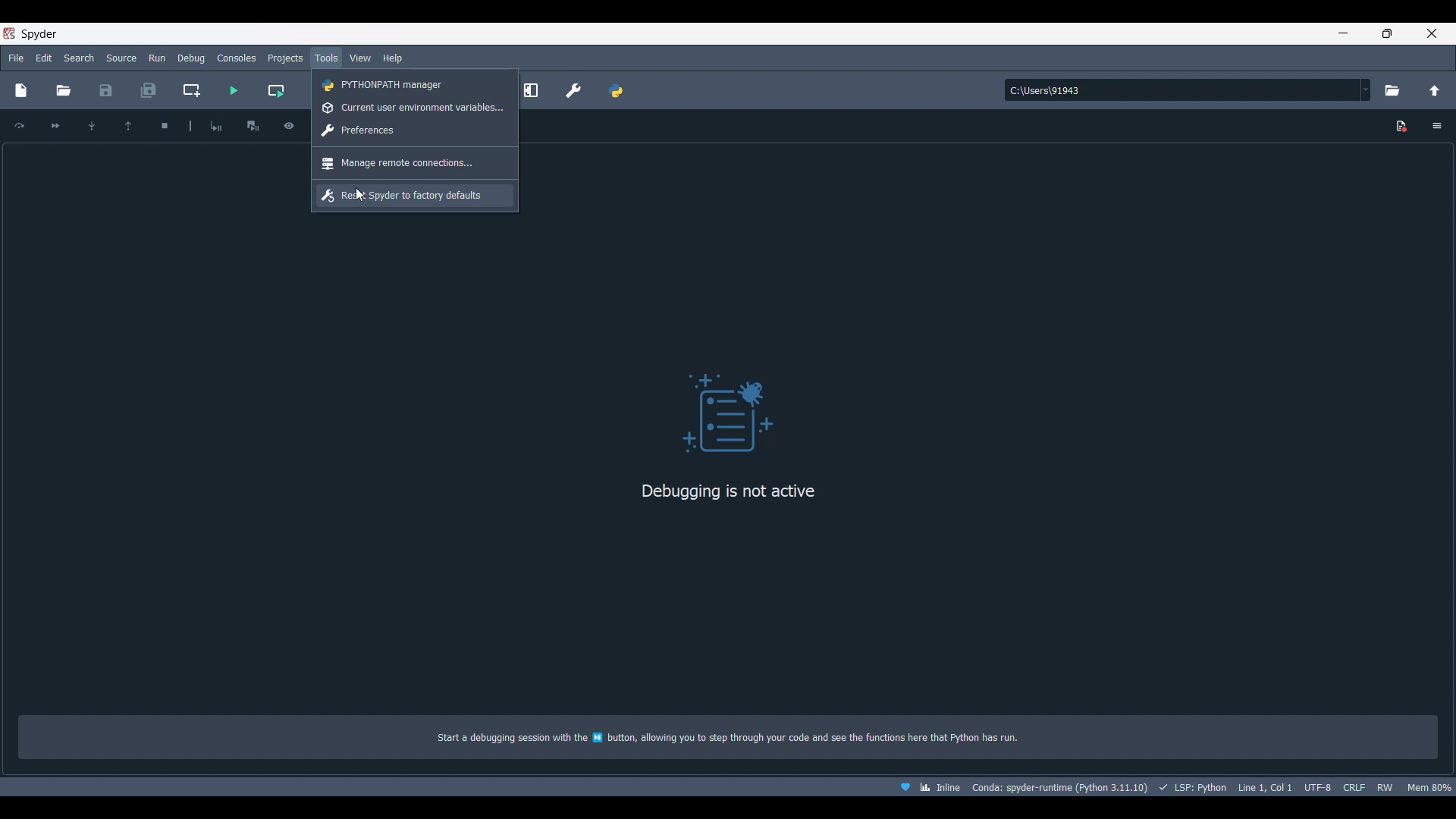 This screenshot has height=819, width=1456. I want to click on Change to parent directory, so click(1435, 90).